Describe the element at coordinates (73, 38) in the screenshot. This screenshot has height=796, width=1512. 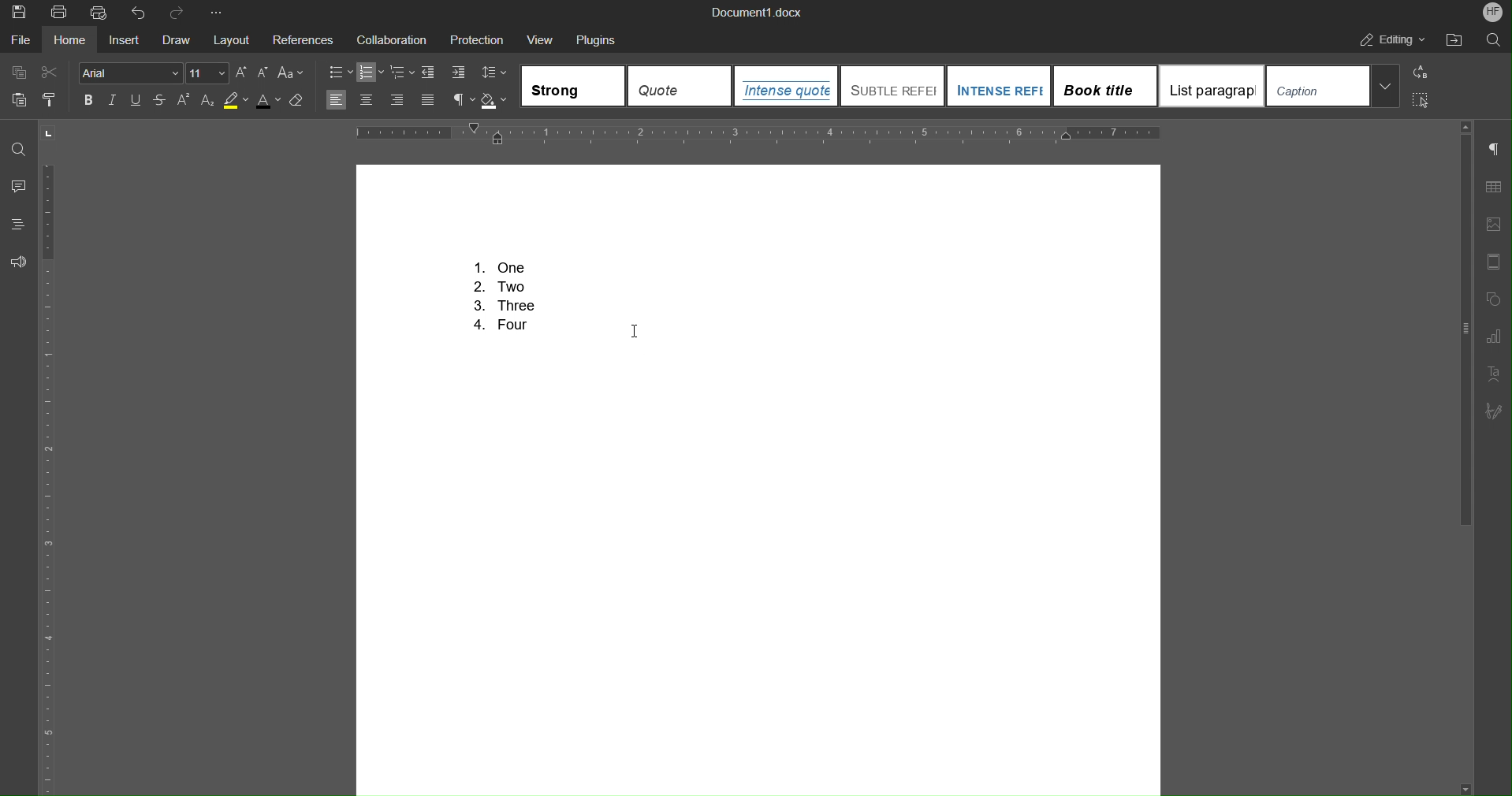
I see `Home` at that location.